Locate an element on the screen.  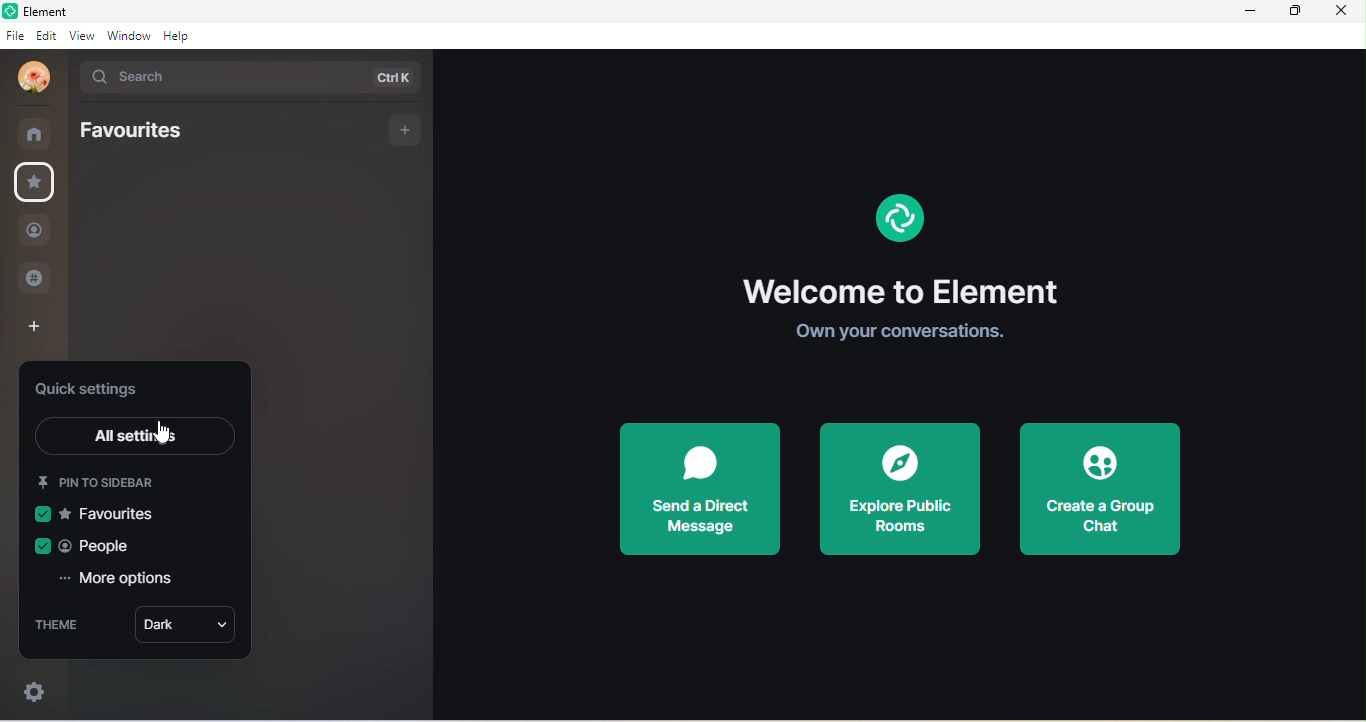
favourite is located at coordinates (37, 183).